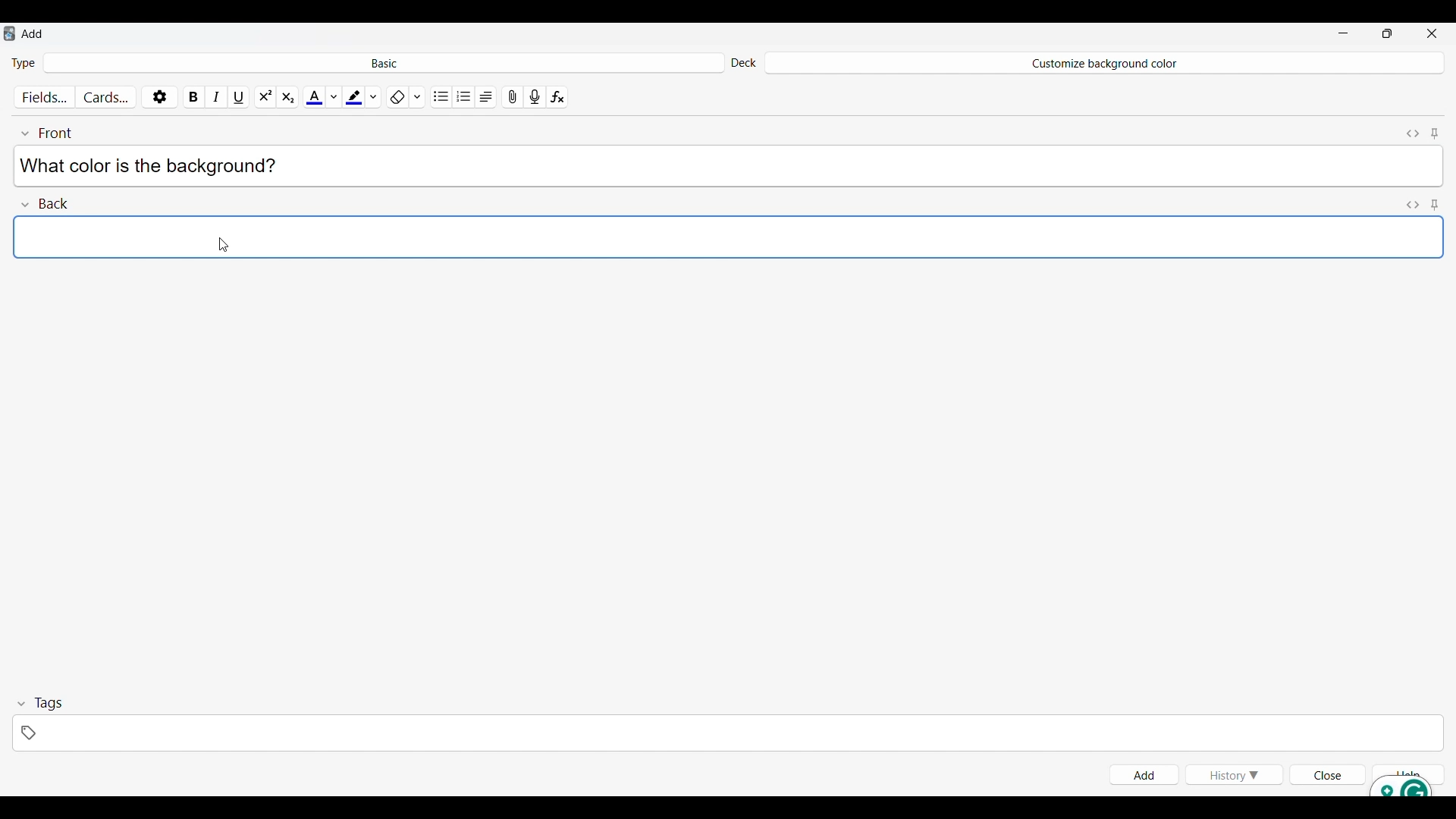 Image resolution: width=1456 pixels, height=819 pixels. Describe the element at coordinates (40, 704) in the screenshot. I see `Collapse tags` at that location.